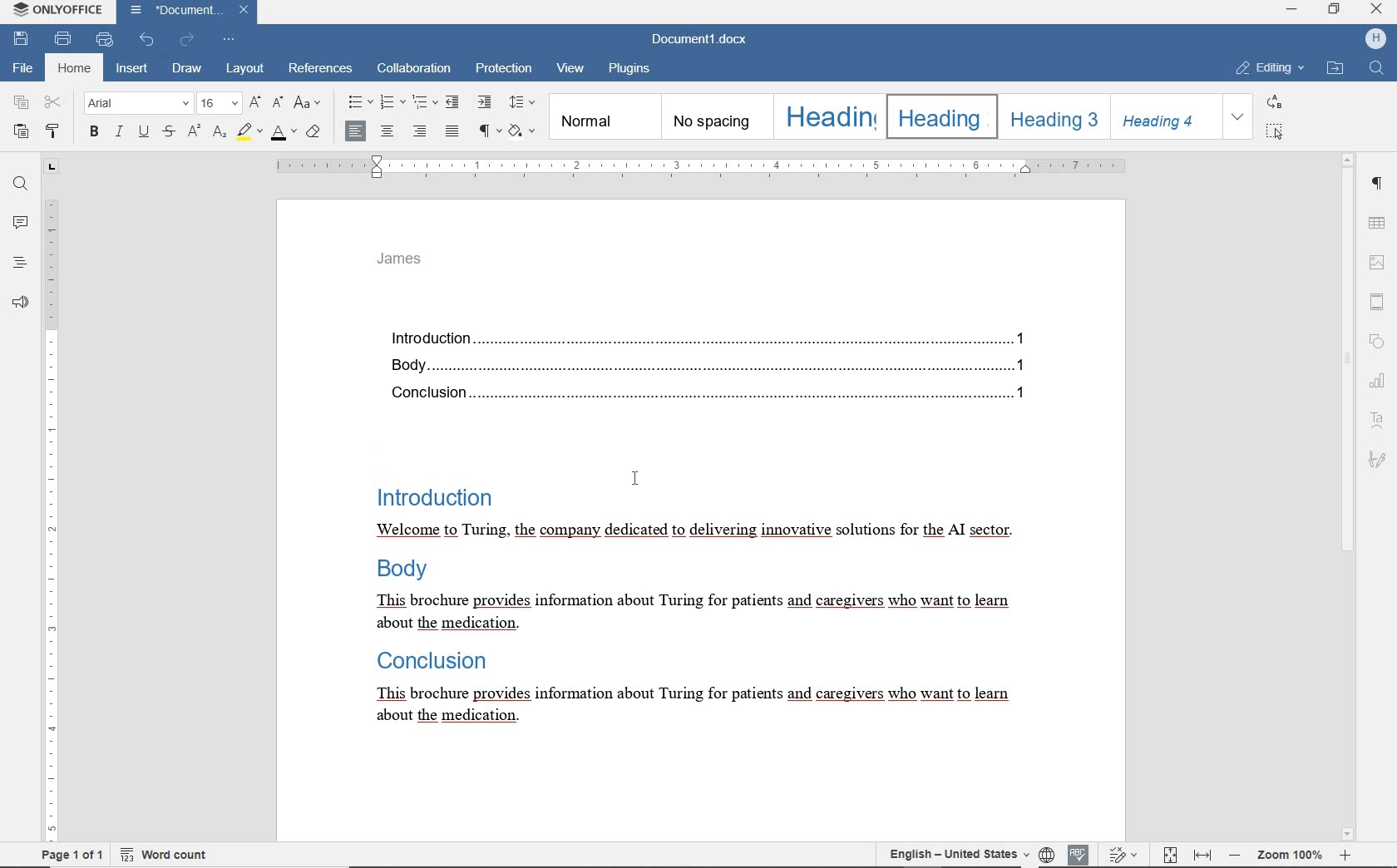 The width and height of the screenshot is (1397, 868). Describe the element at coordinates (229, 38) in the screenshot. I see `customize quick access toolbar` at that location.